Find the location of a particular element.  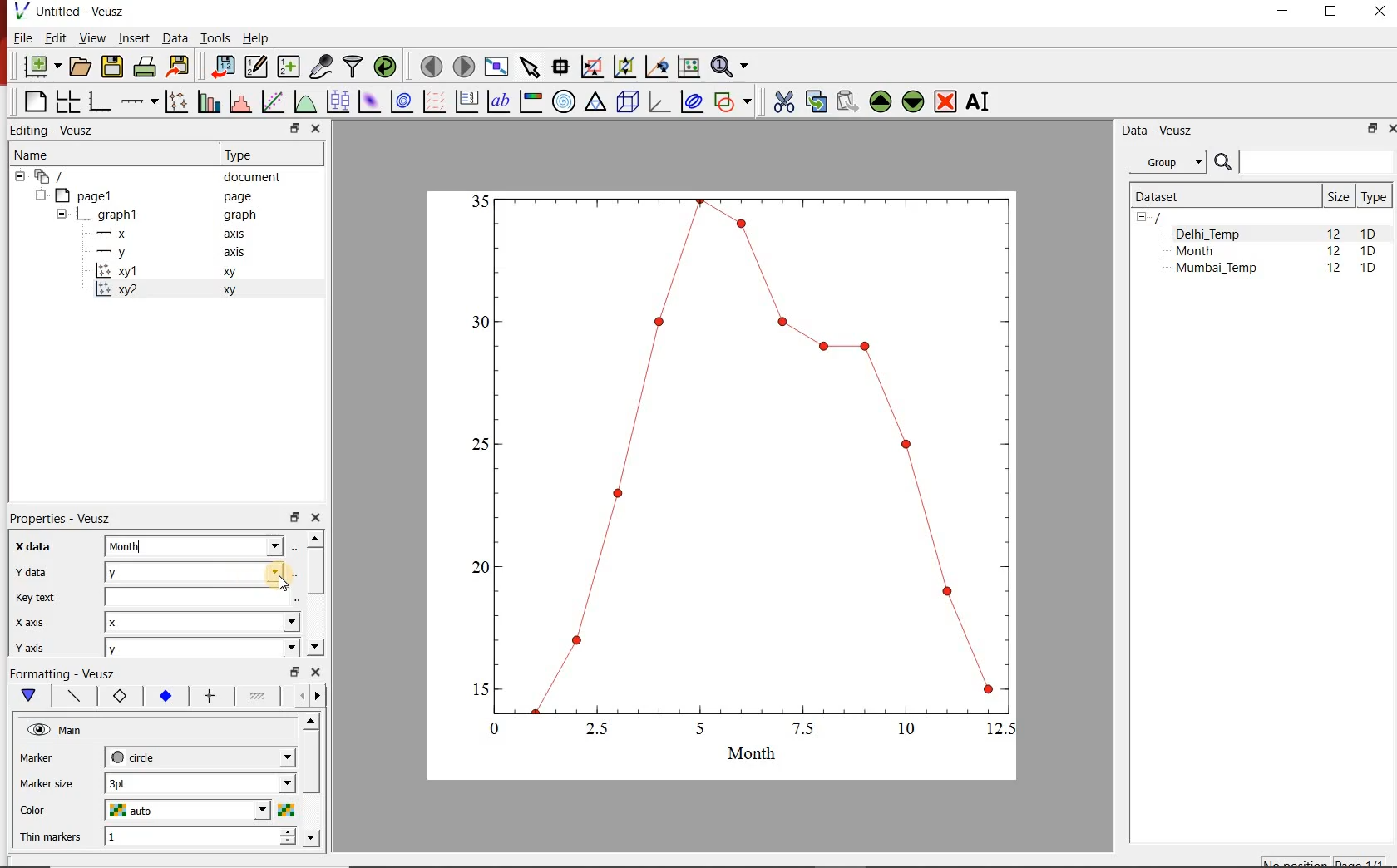

move the selected widget down is located at coordinates (913, 102).